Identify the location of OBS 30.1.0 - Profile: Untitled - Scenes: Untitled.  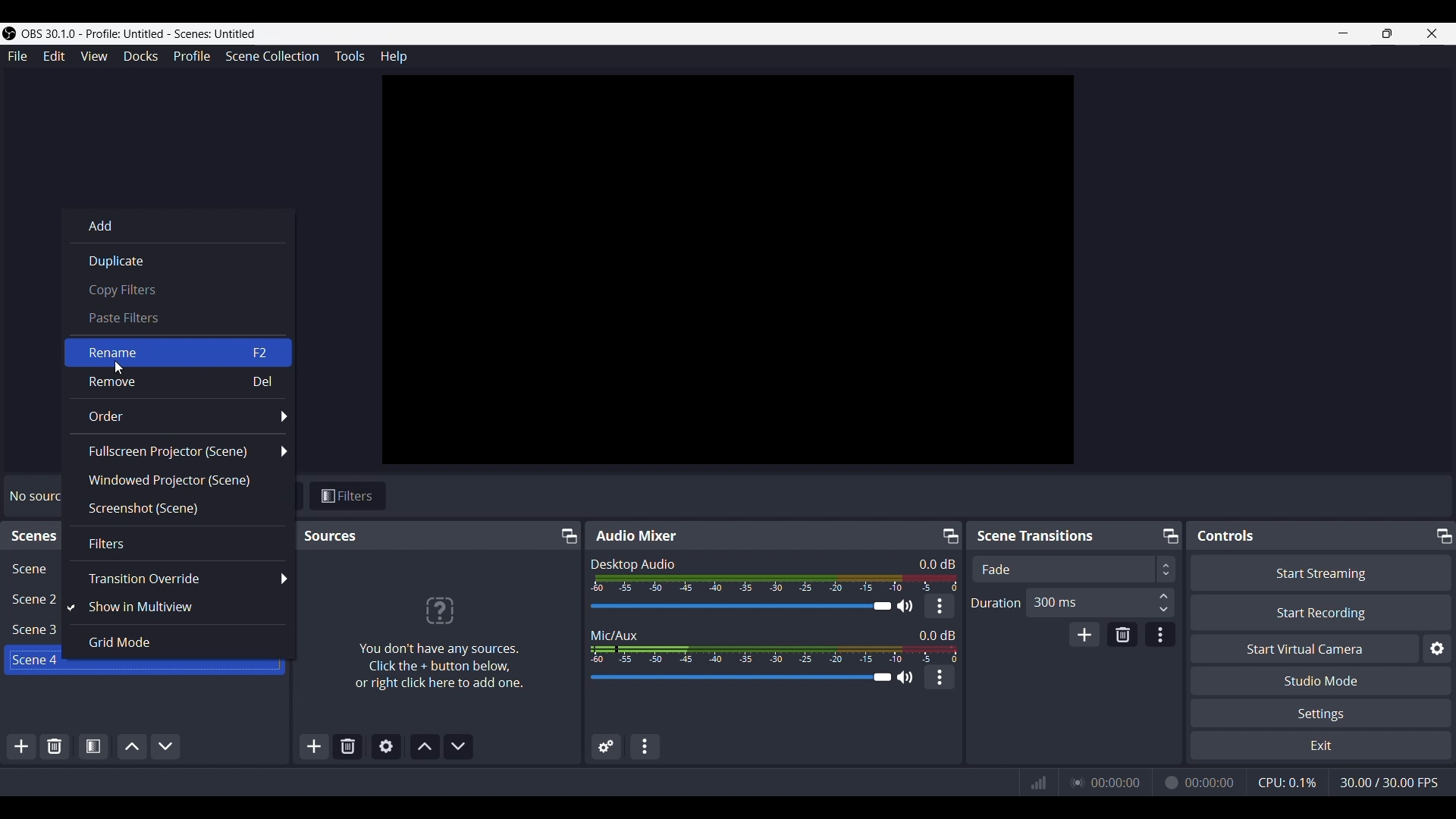
(131, 33).